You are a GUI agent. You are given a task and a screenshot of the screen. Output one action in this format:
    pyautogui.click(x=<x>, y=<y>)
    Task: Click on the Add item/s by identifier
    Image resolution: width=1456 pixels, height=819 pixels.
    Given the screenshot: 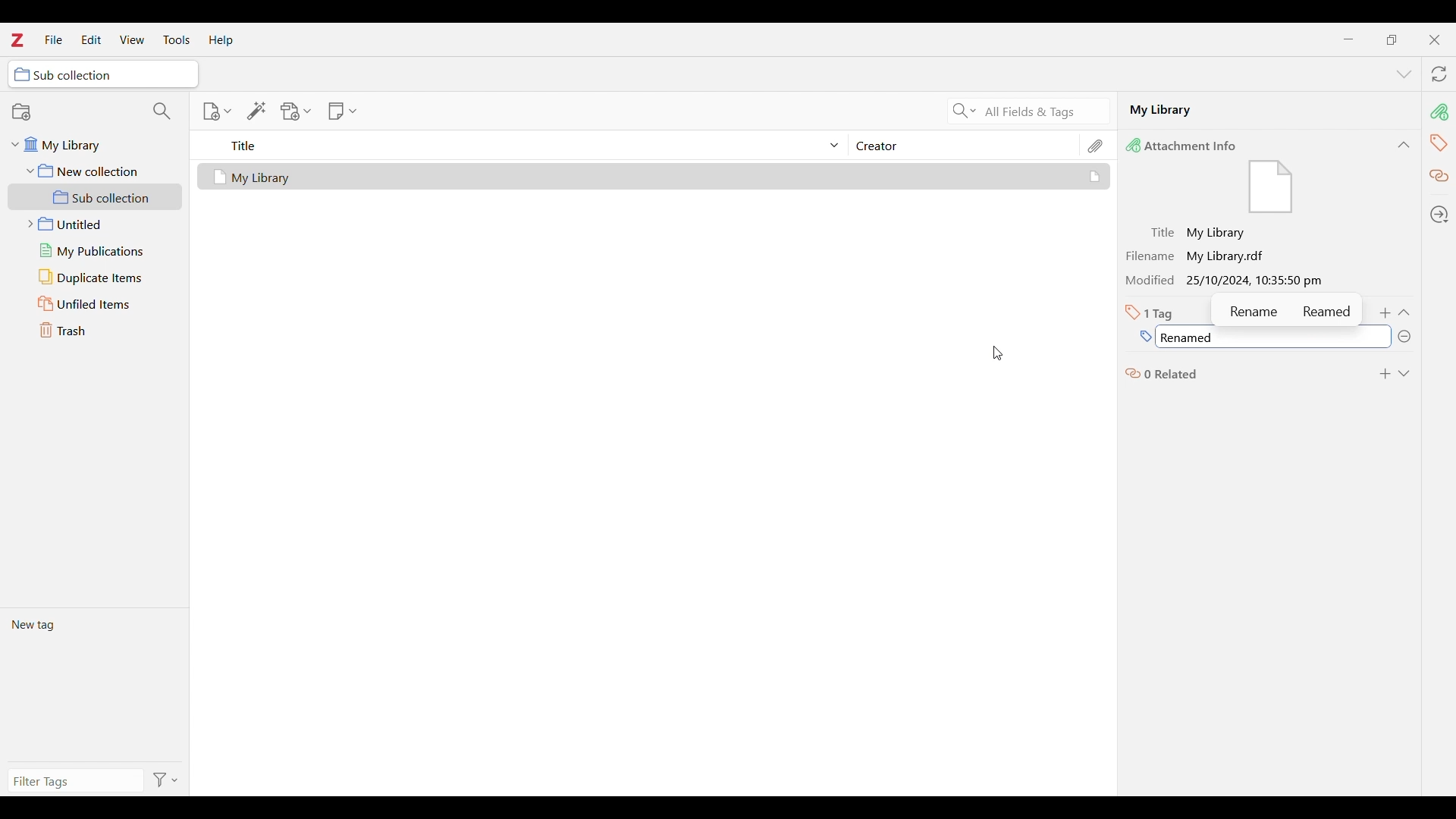 What is the action you would take?
    pyautogui.click(x=257, y=111)
    